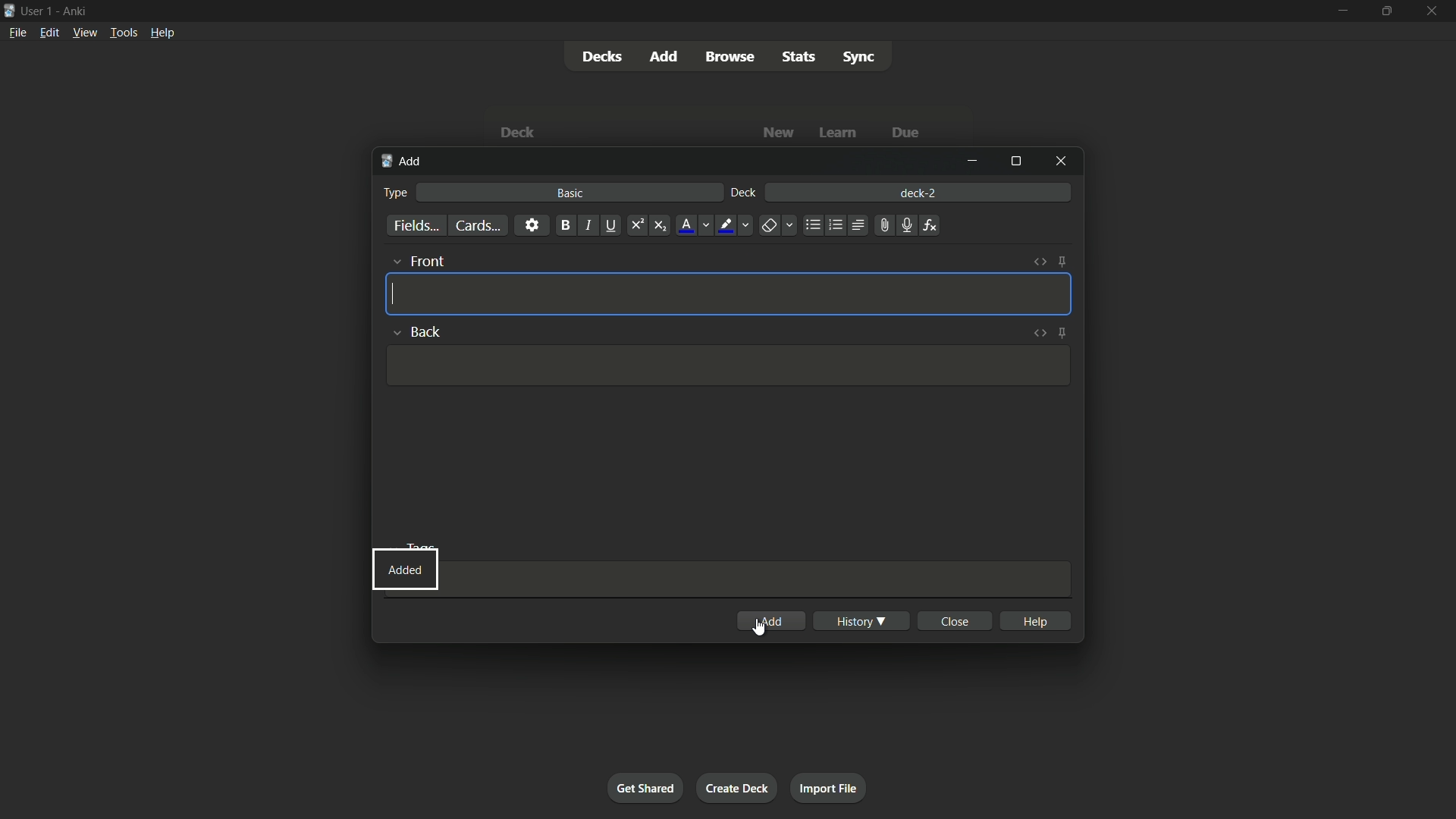  What do you see at coordinates (8, 11) in the screenshot?
I see `app icon` at bounding box center [8, 11].